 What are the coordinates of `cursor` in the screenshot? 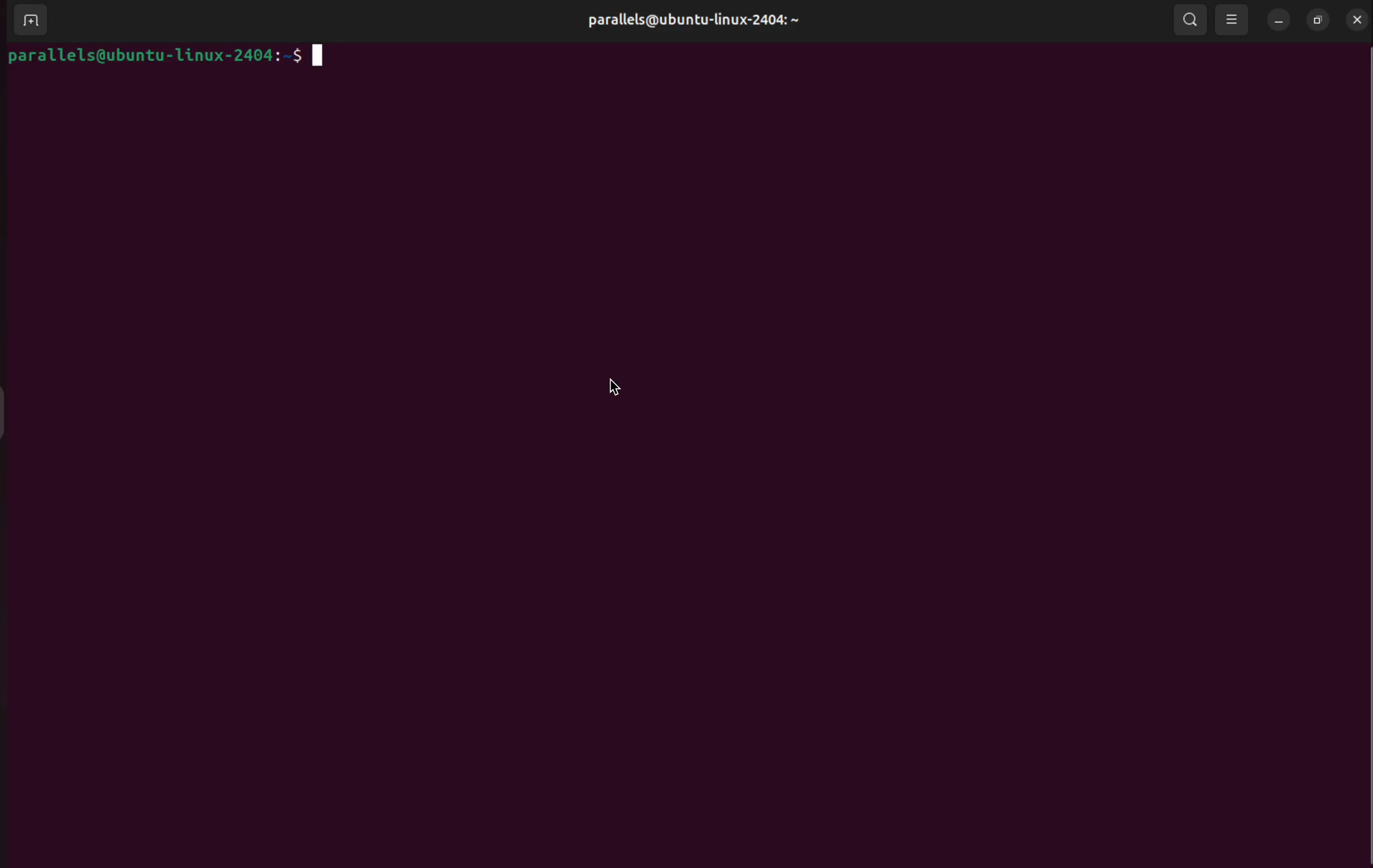 It's located at (617, 389).